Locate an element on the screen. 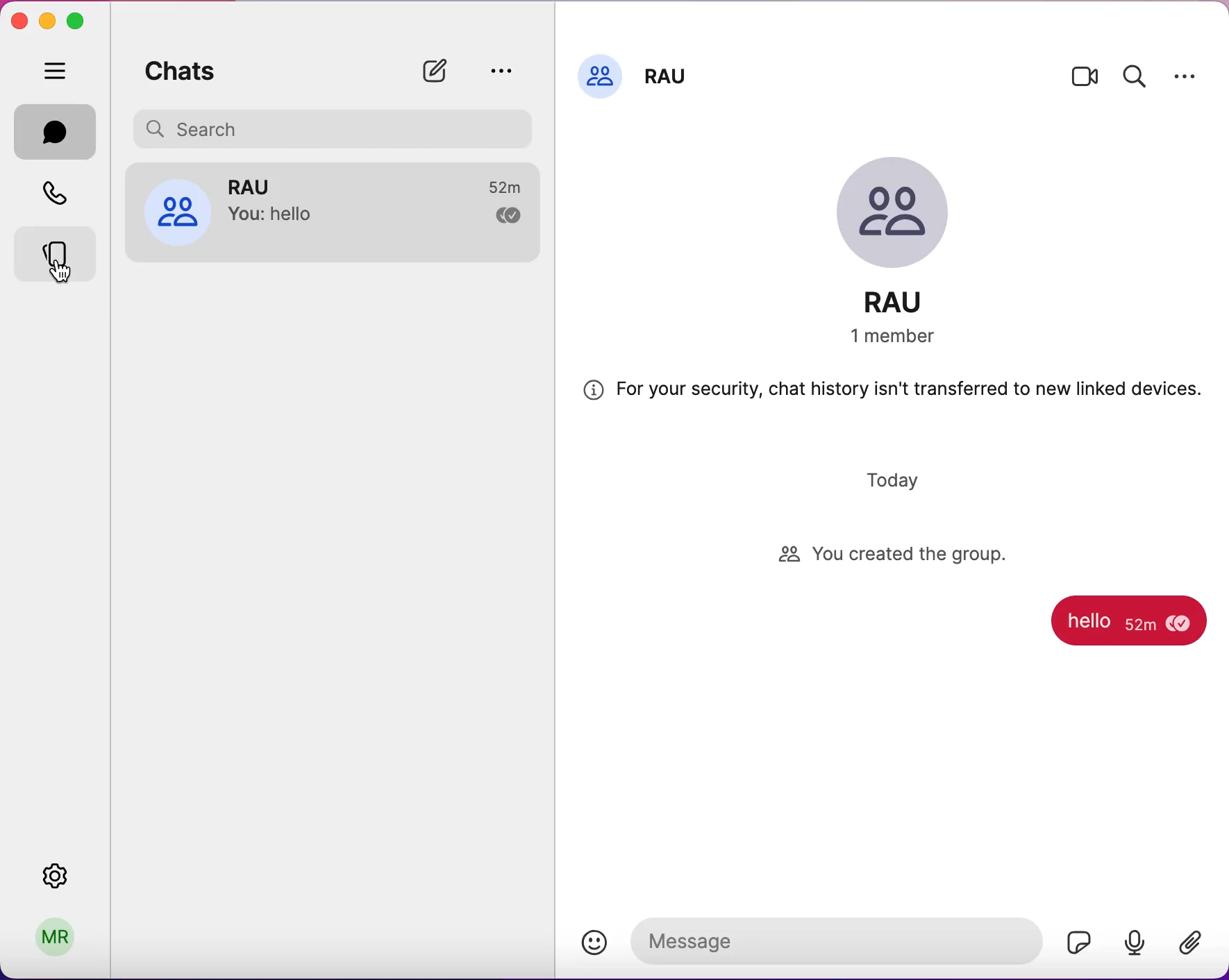 The image size is (1229, 980). profile picture is located at coordinates (599, 78).